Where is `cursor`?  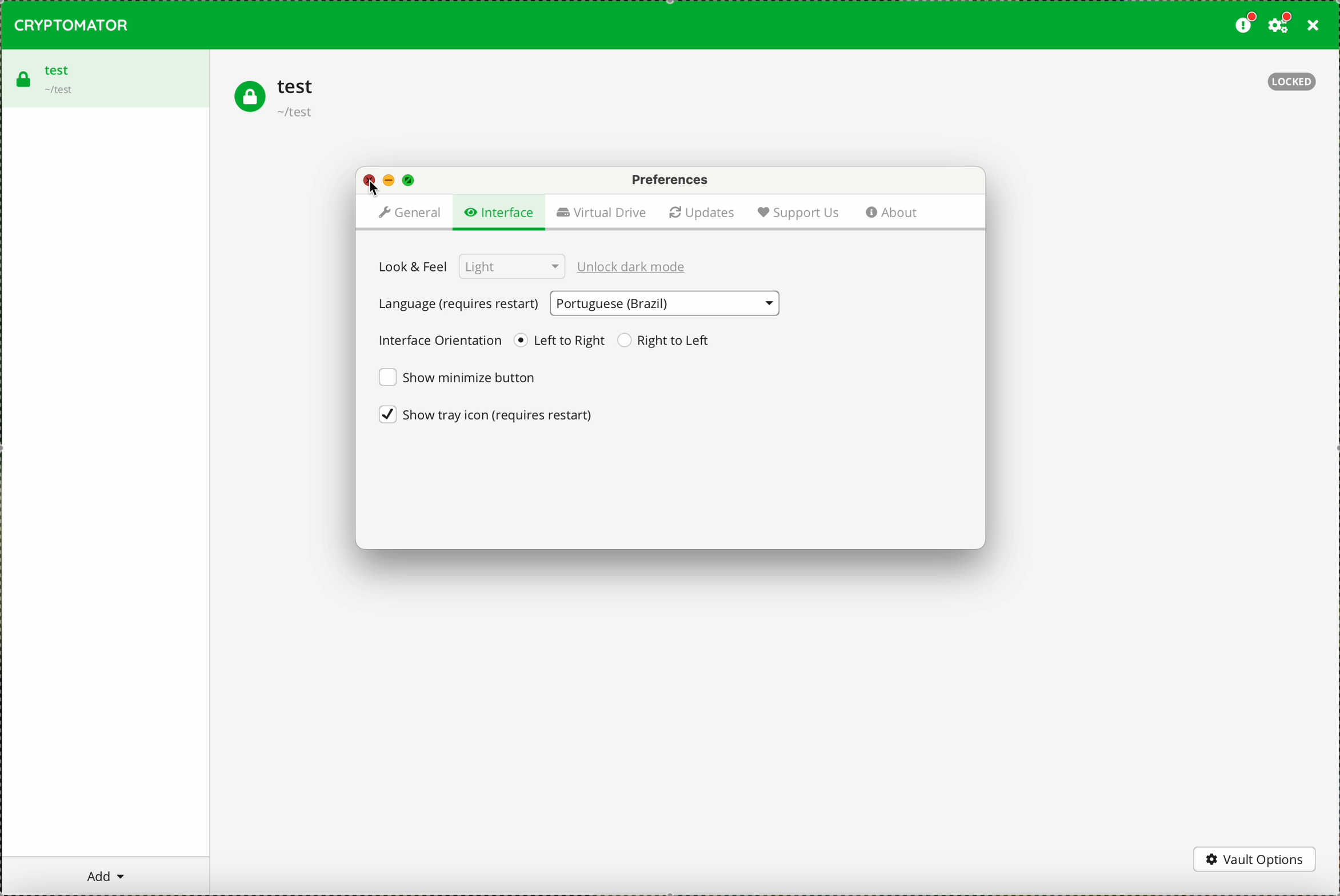
cursor is located at coordinates (376, 188).